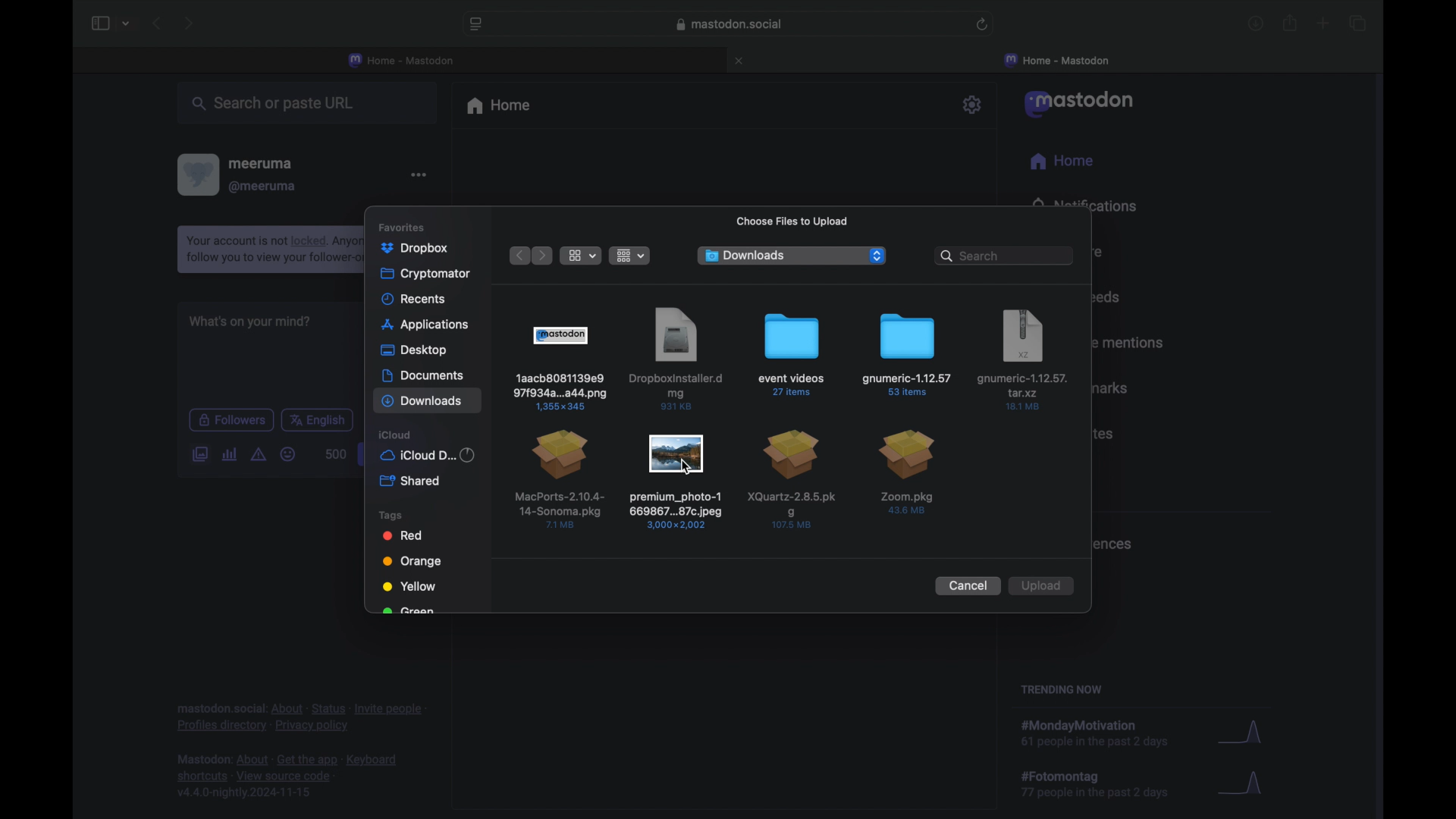  What do you see at coordinates (128, 24) in the screenshot?
I see `tab group picker` at bounding box center [128, 24].